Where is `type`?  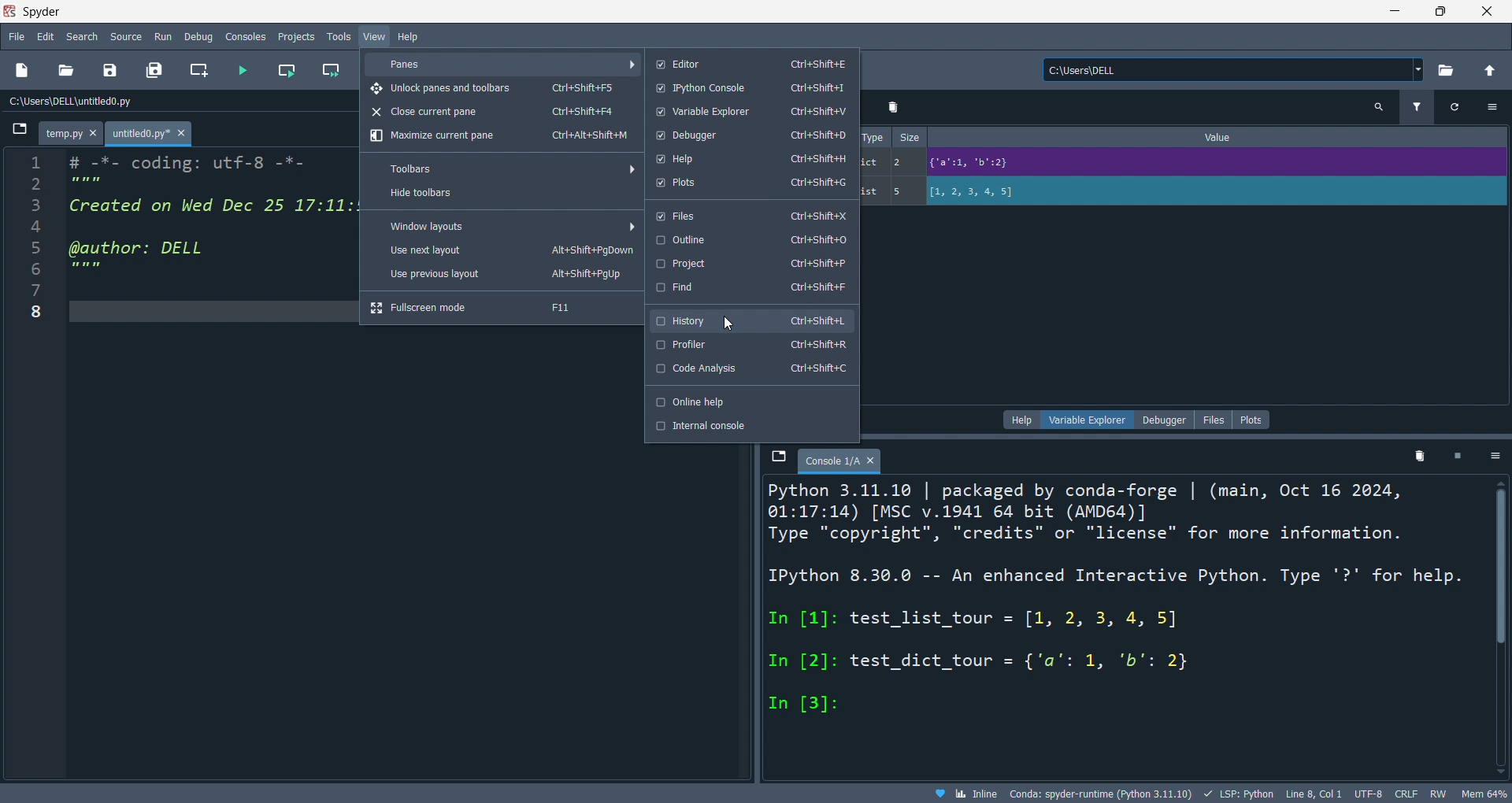 type is located at coordinates (873, 136).